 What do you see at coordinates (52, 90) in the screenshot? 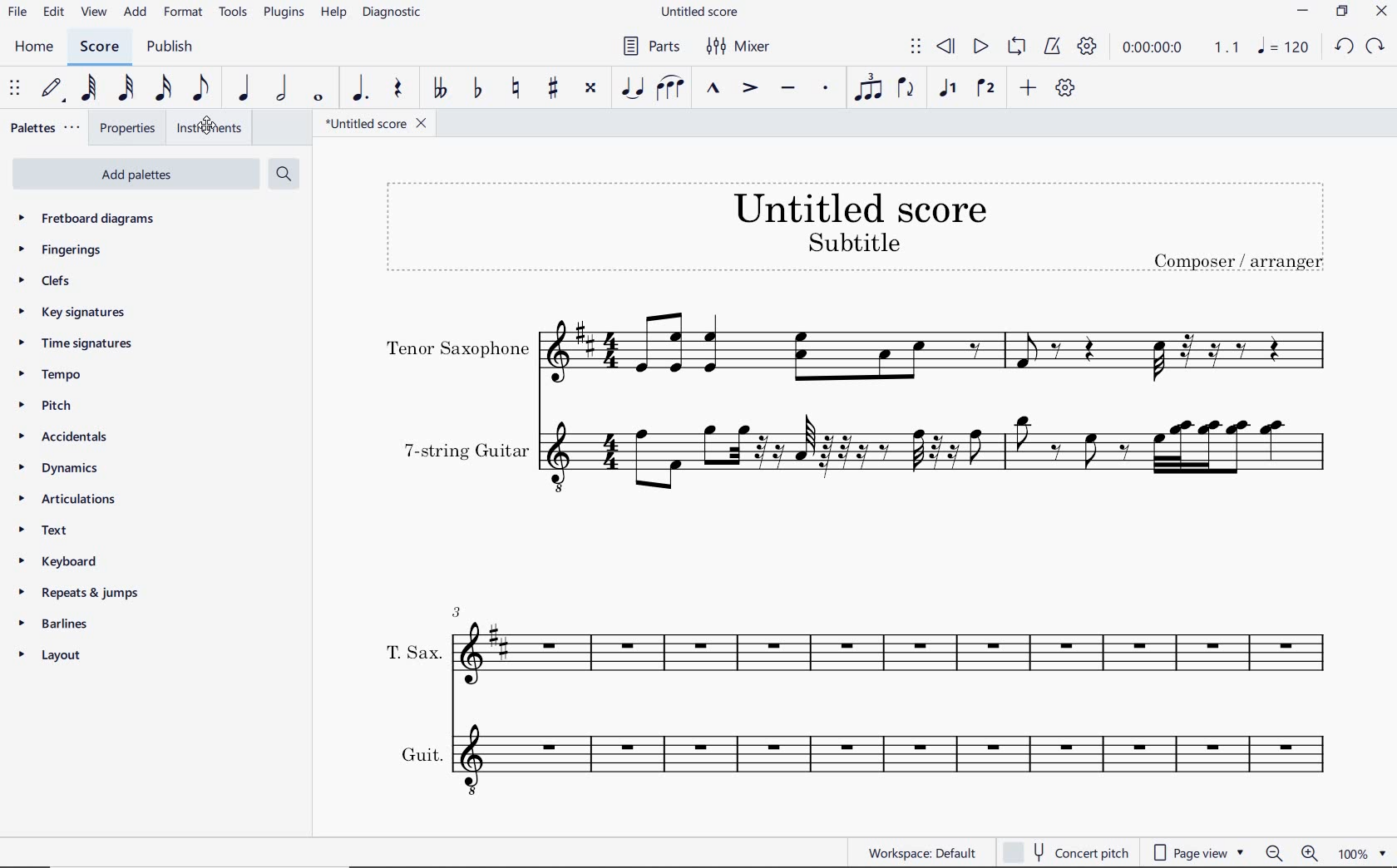
I see `DEFAULT (STEP TIME)` at bounding box center [52, 90].